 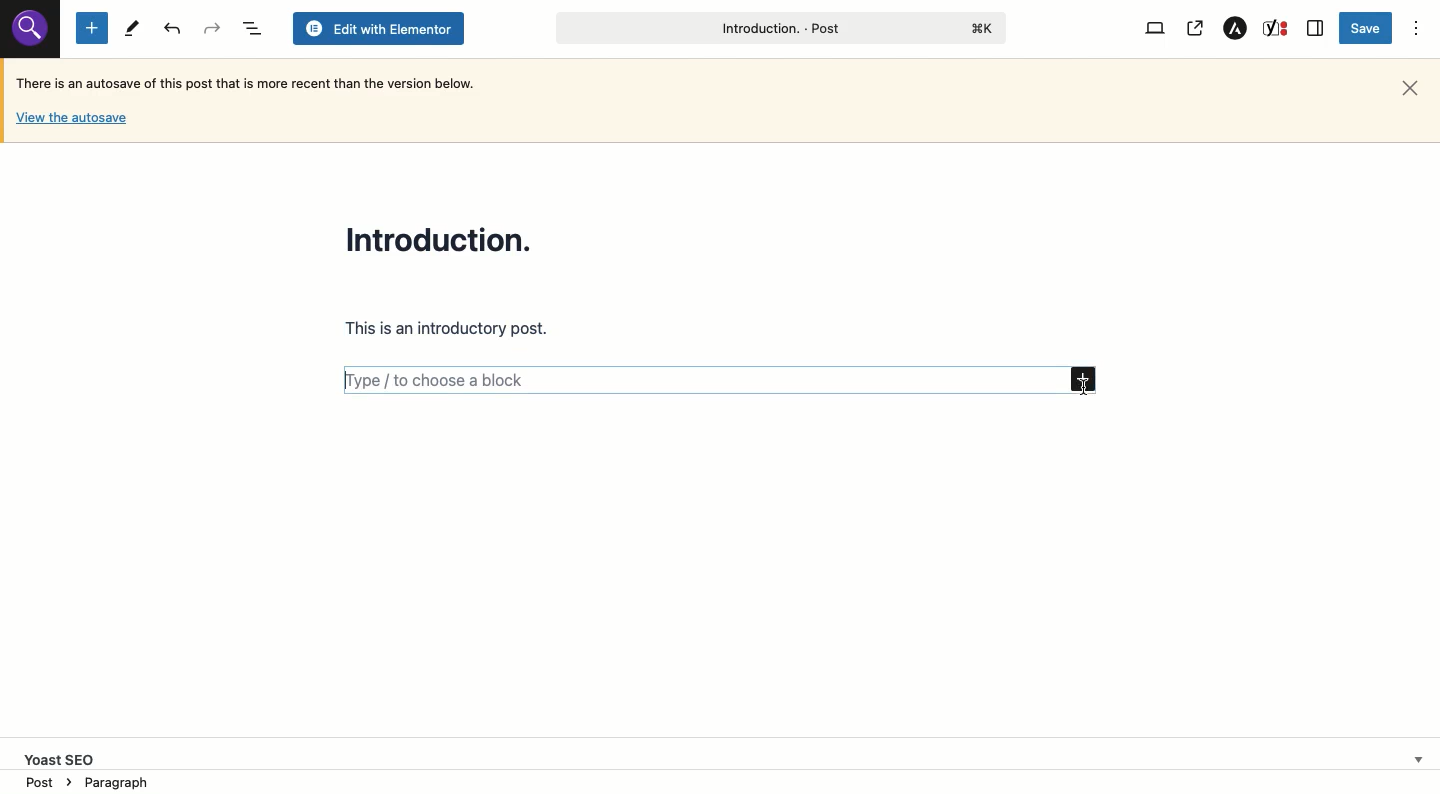 What do you see at coordinates (778, 28) in the screenshot?
I see `Post` at bounding box center [778, 28].